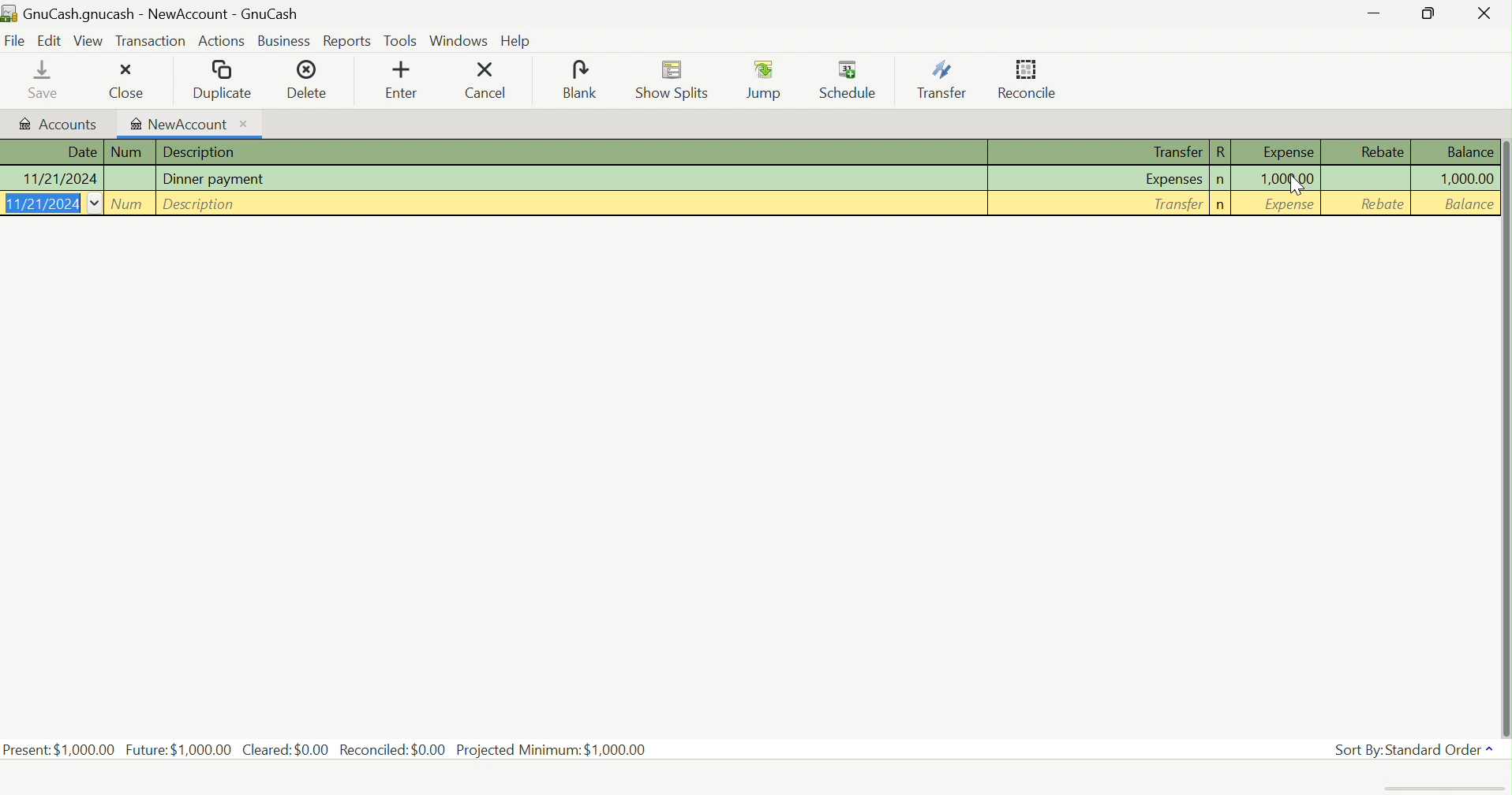 The height and width of the screenshot is (795, 1512). Describe the element at coordinates (1465, 203) in the screenshot. I see `Balance` at that location.